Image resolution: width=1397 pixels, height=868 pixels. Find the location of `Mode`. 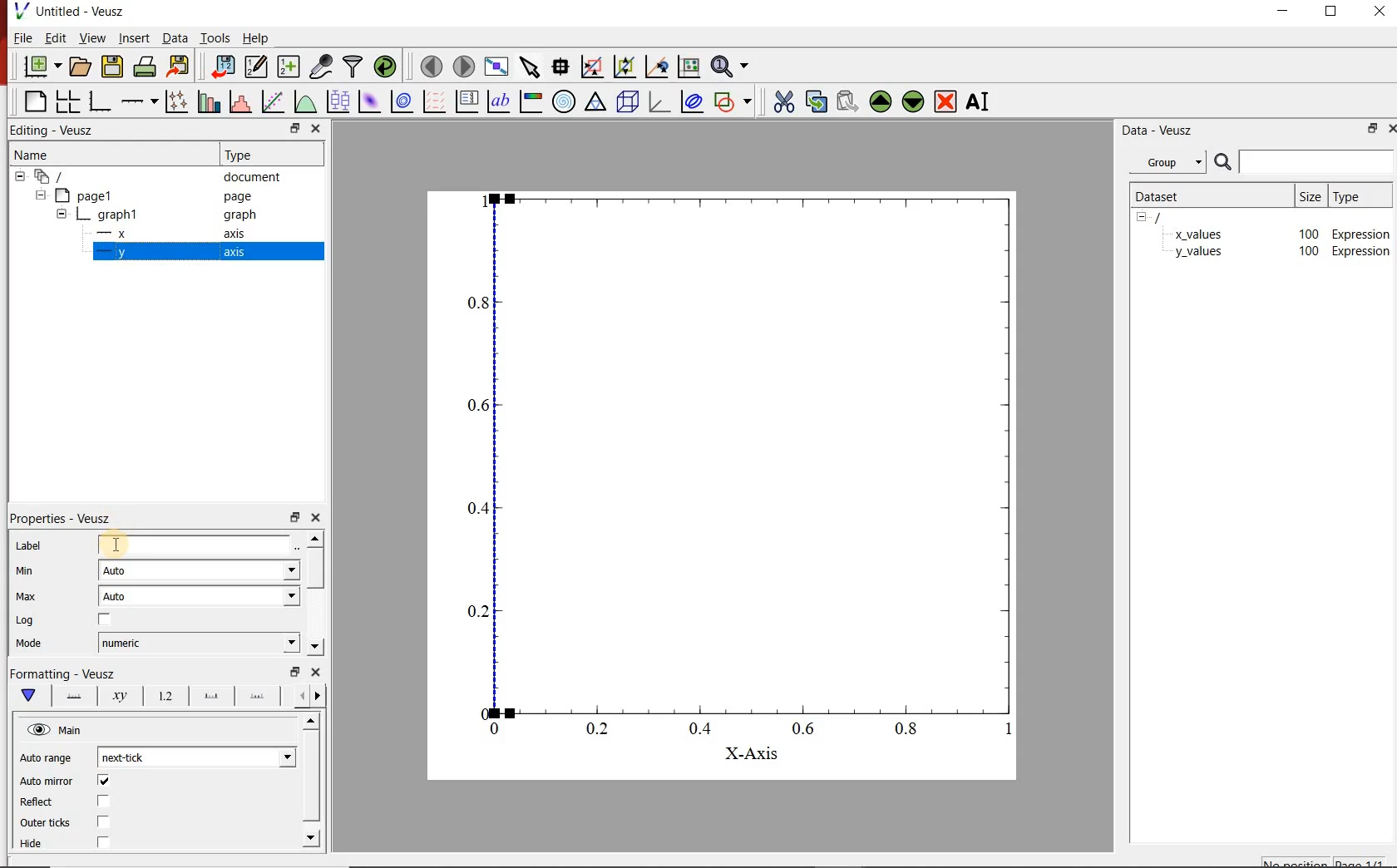

Mode is located at coordinates (29, 643).